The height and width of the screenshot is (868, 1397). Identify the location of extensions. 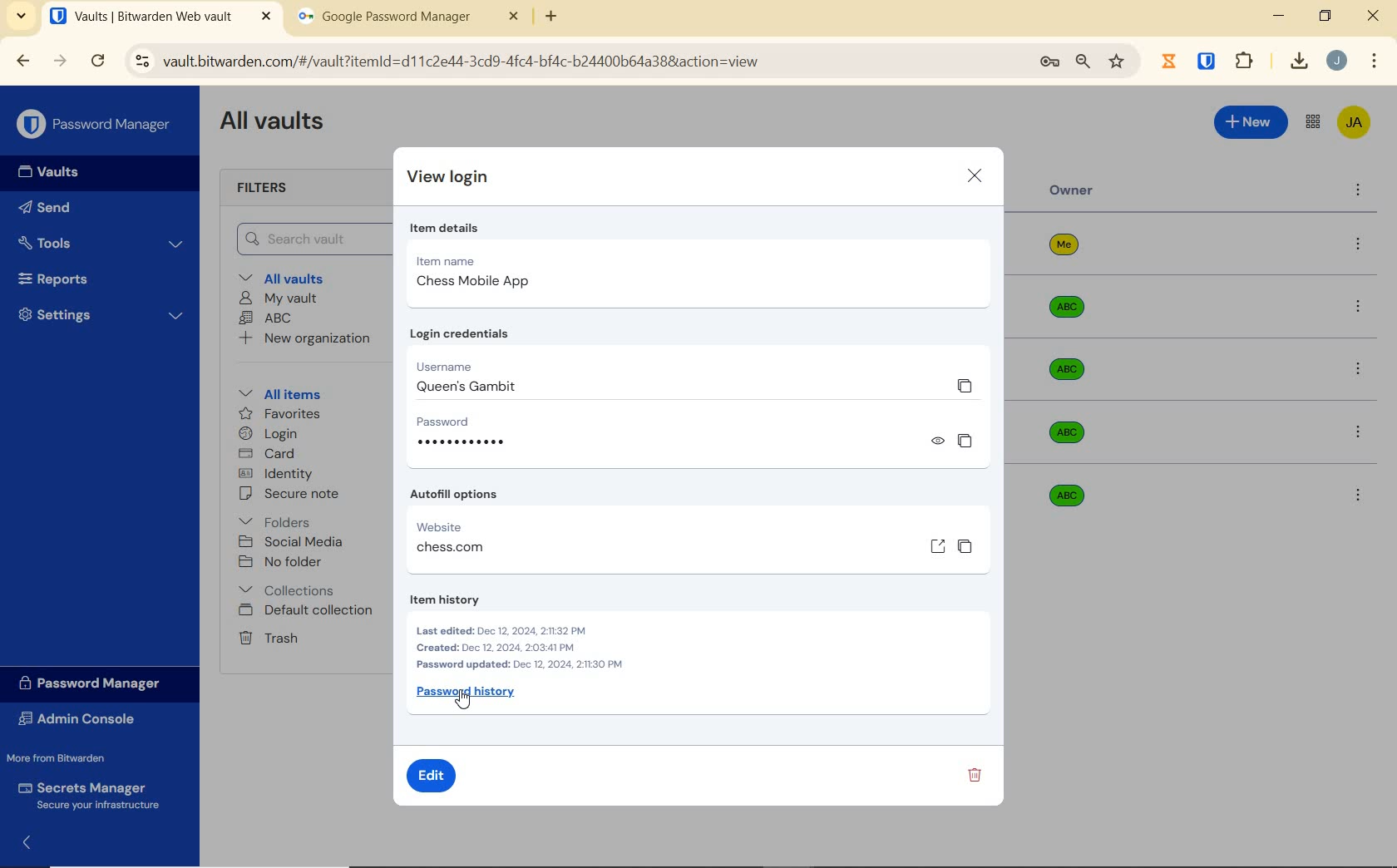
(1208, 60).